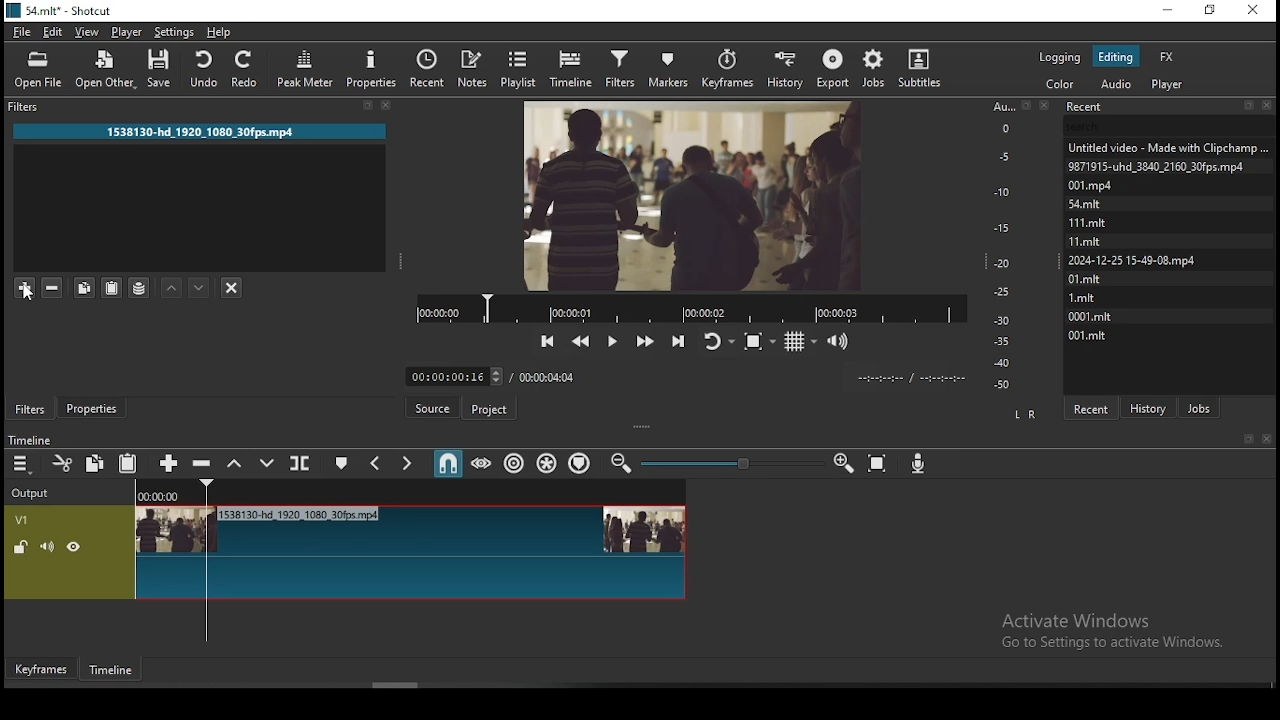  I want to click on peak meter, so click(371, 68).